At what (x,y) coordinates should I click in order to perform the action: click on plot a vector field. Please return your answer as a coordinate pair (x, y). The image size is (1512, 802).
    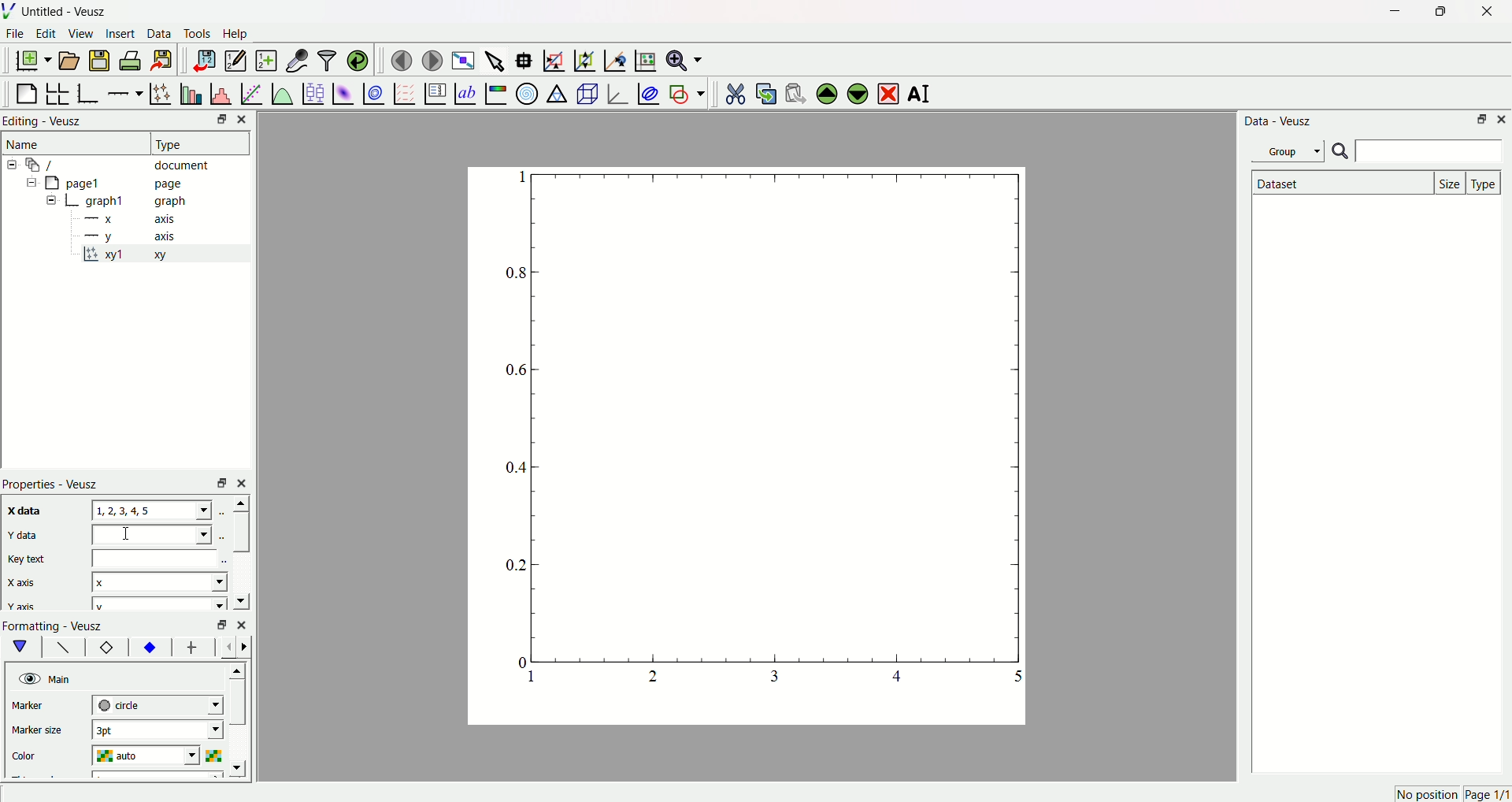
    Looking at the image, I should click on (402, 93).